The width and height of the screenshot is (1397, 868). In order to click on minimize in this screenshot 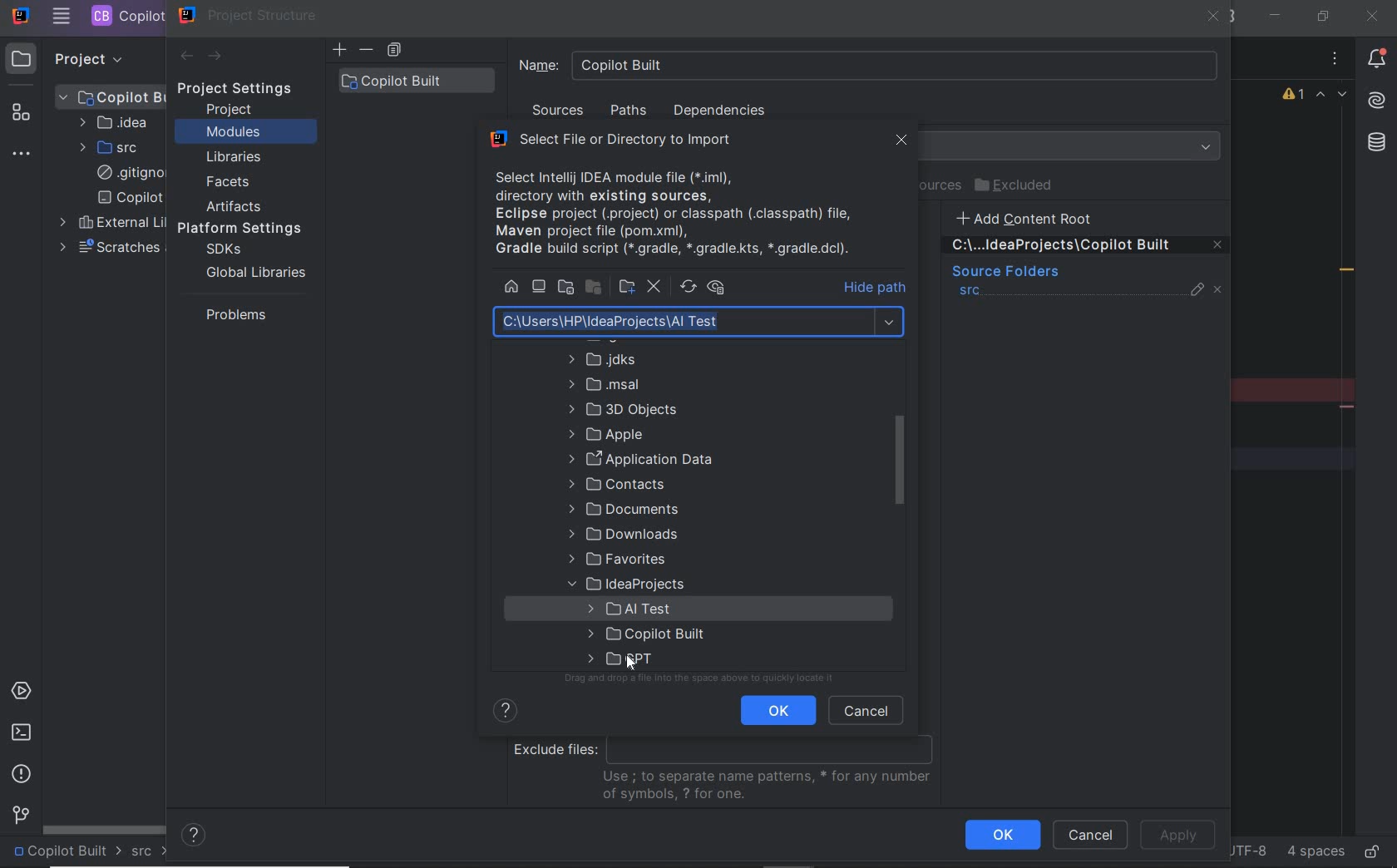, I will do `click(1276, 16)`.